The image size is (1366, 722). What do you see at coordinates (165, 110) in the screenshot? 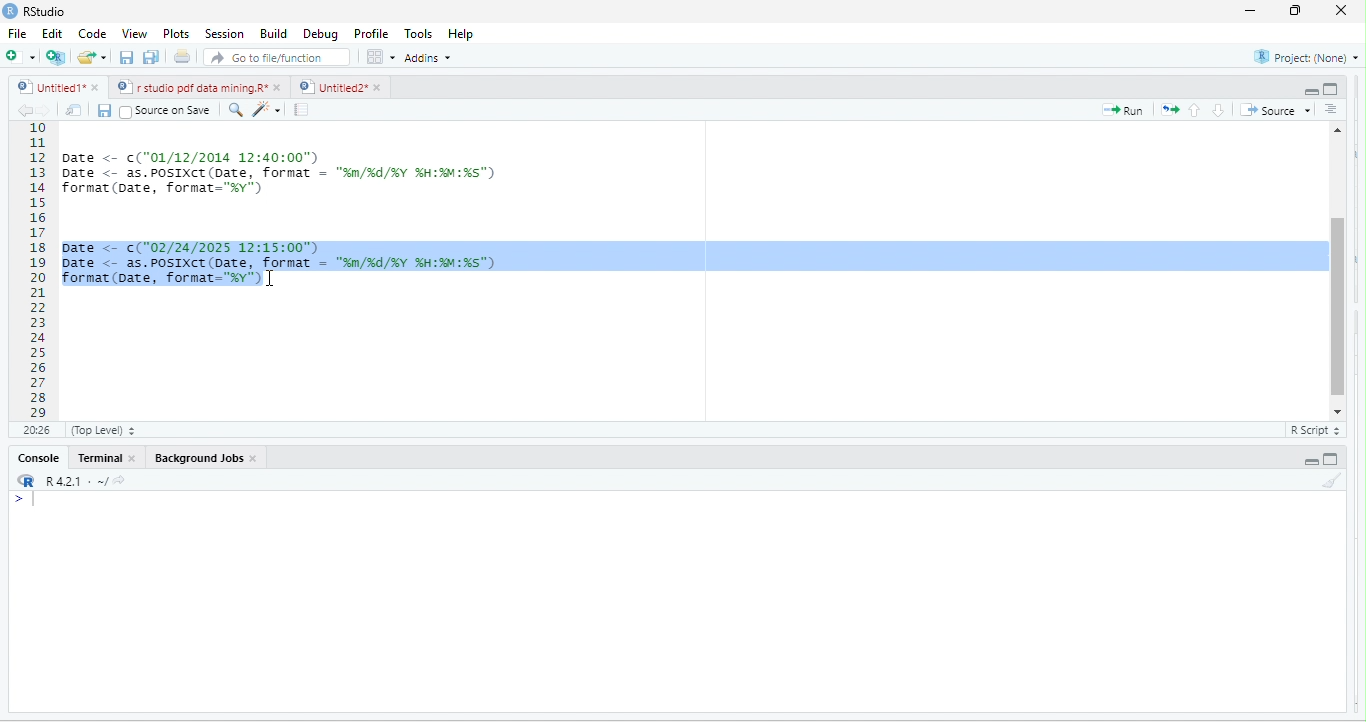
I see `‘Source on Save` at bounding box center [165, 110].